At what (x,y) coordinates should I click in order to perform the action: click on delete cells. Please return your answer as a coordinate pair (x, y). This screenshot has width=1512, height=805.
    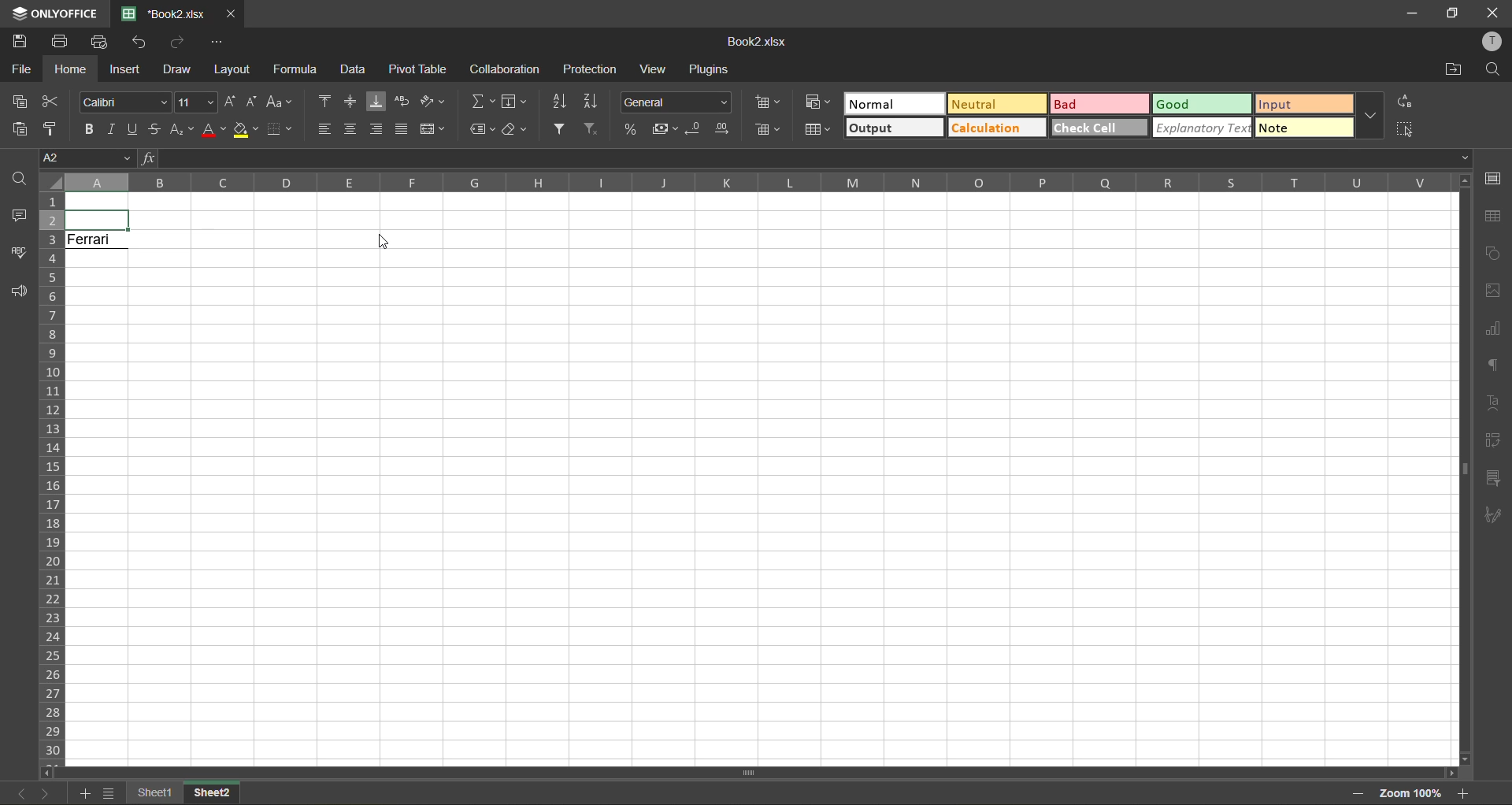
    Looking at the image, I should click on (768, 131).